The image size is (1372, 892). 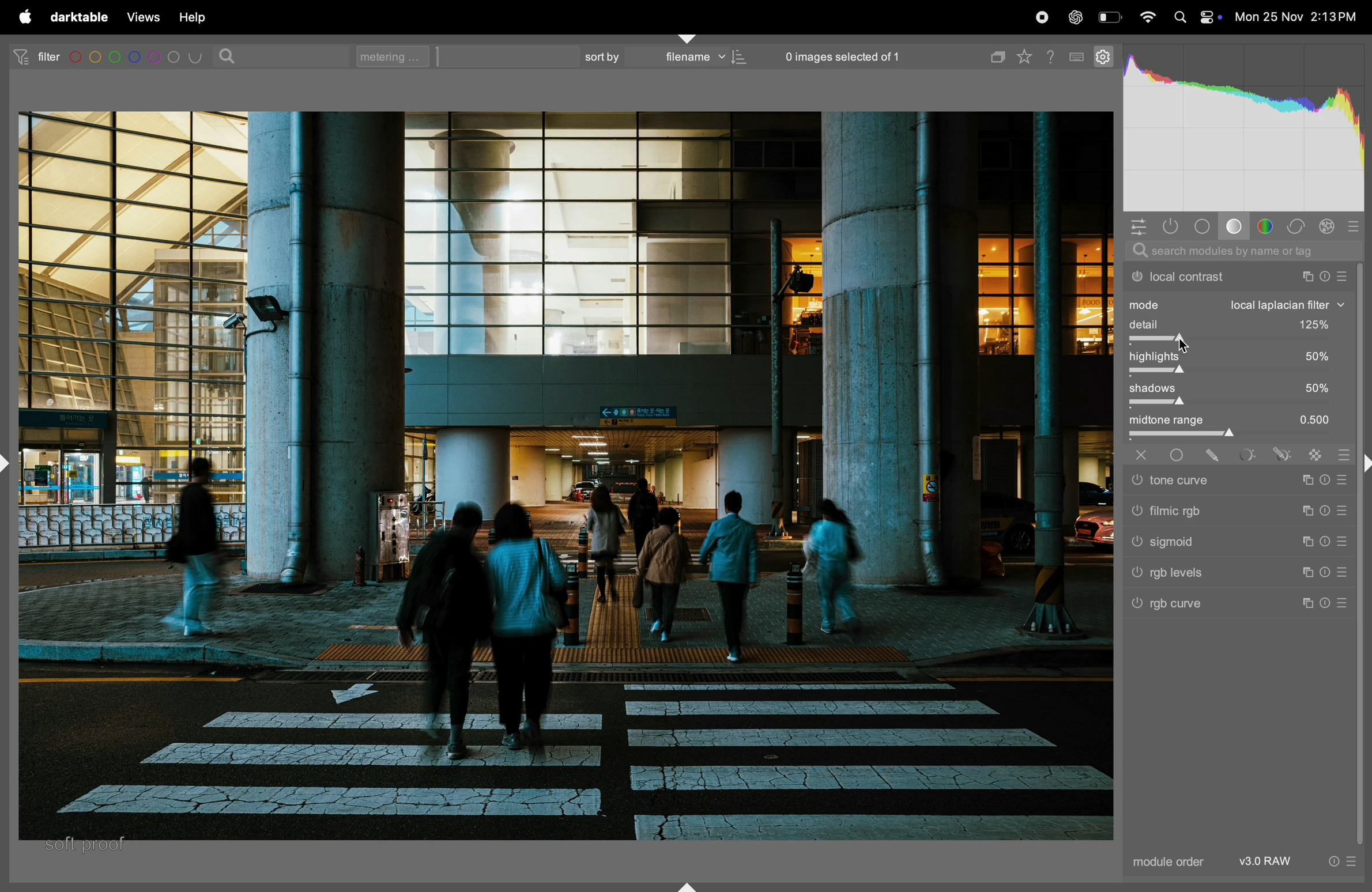 What do you see at coordinates (1242, 436) in the screenshot?
I see `toggle` at bounding box center [1242, 436].